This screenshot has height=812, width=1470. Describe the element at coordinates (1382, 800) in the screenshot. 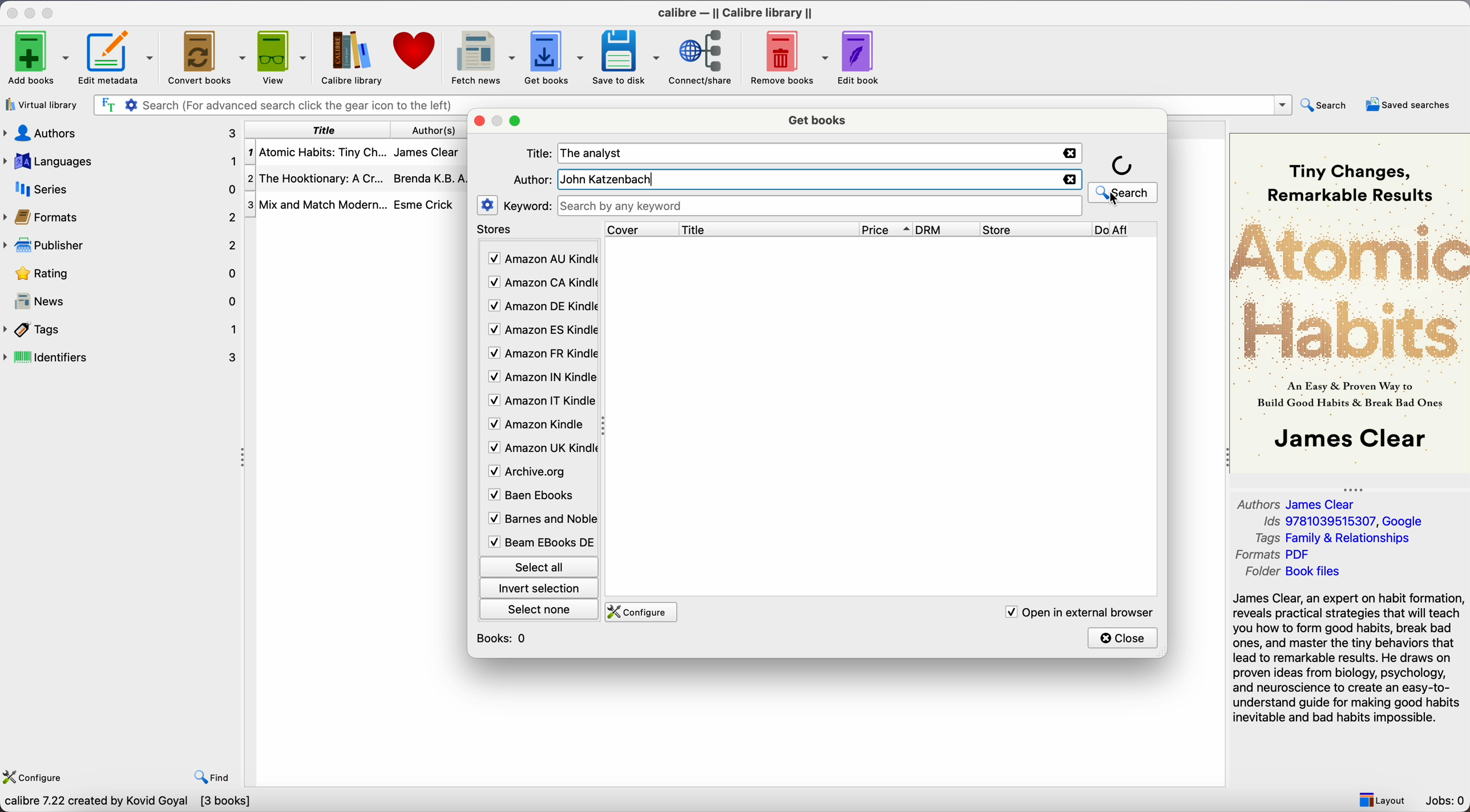

I see `layout` at that location.